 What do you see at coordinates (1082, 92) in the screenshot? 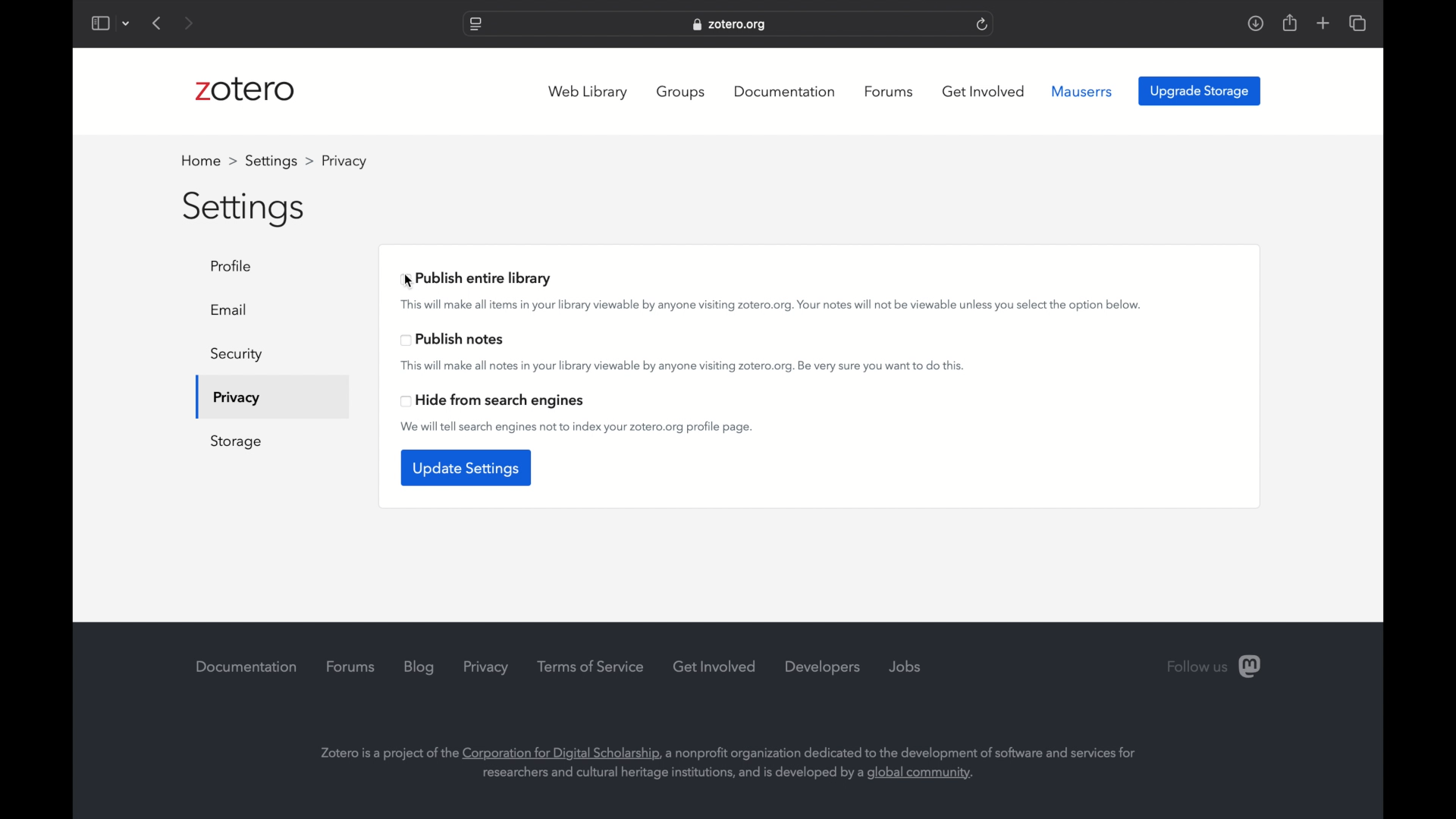
I see `mauserrs` at bounding box center [1082, 92].